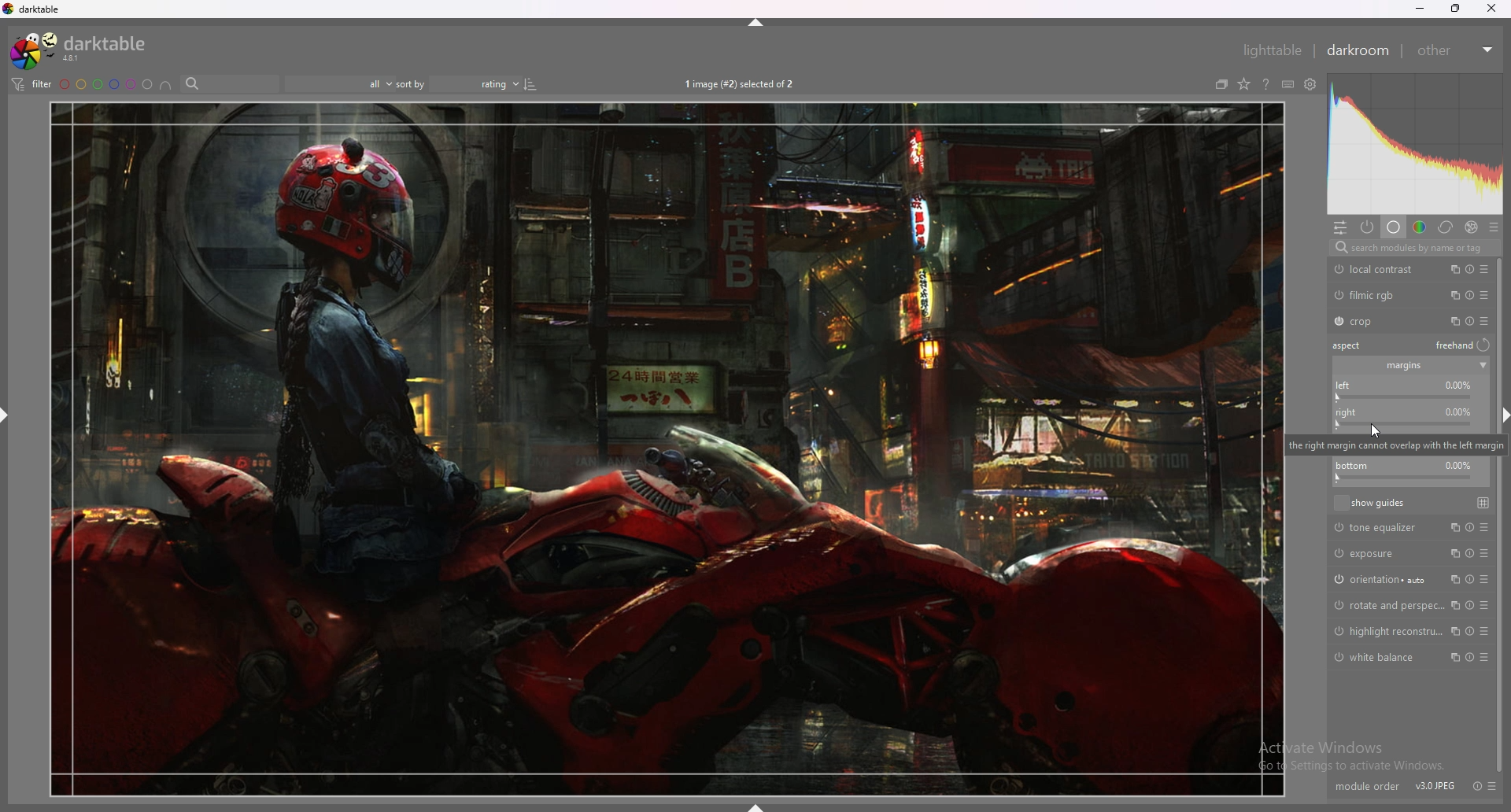 The height and width of the screenshot is (812, 1511). What do you see at coordinates (1483, 366) in the screenshot?
I see `collapse` at bounding box center [1483, 366].